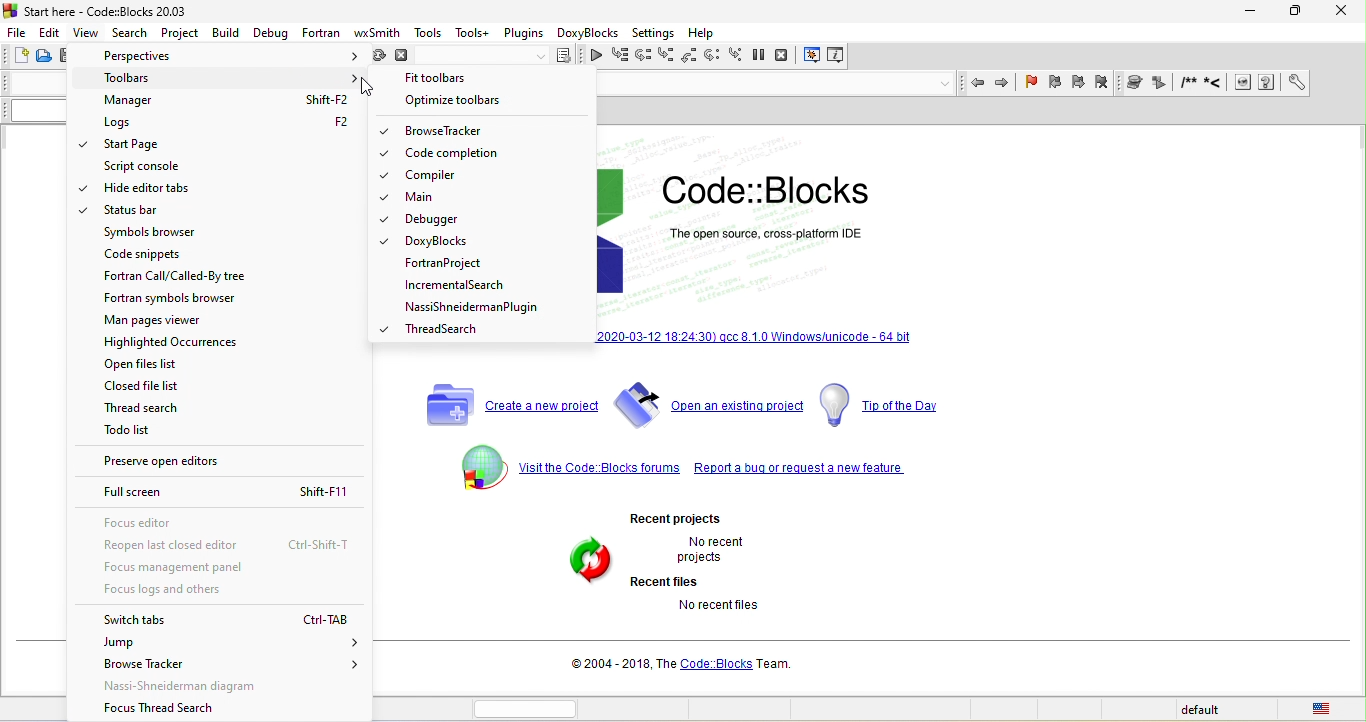 This screenshot has height=722, width=1366. I want to click on thread search, so click(444, 330).